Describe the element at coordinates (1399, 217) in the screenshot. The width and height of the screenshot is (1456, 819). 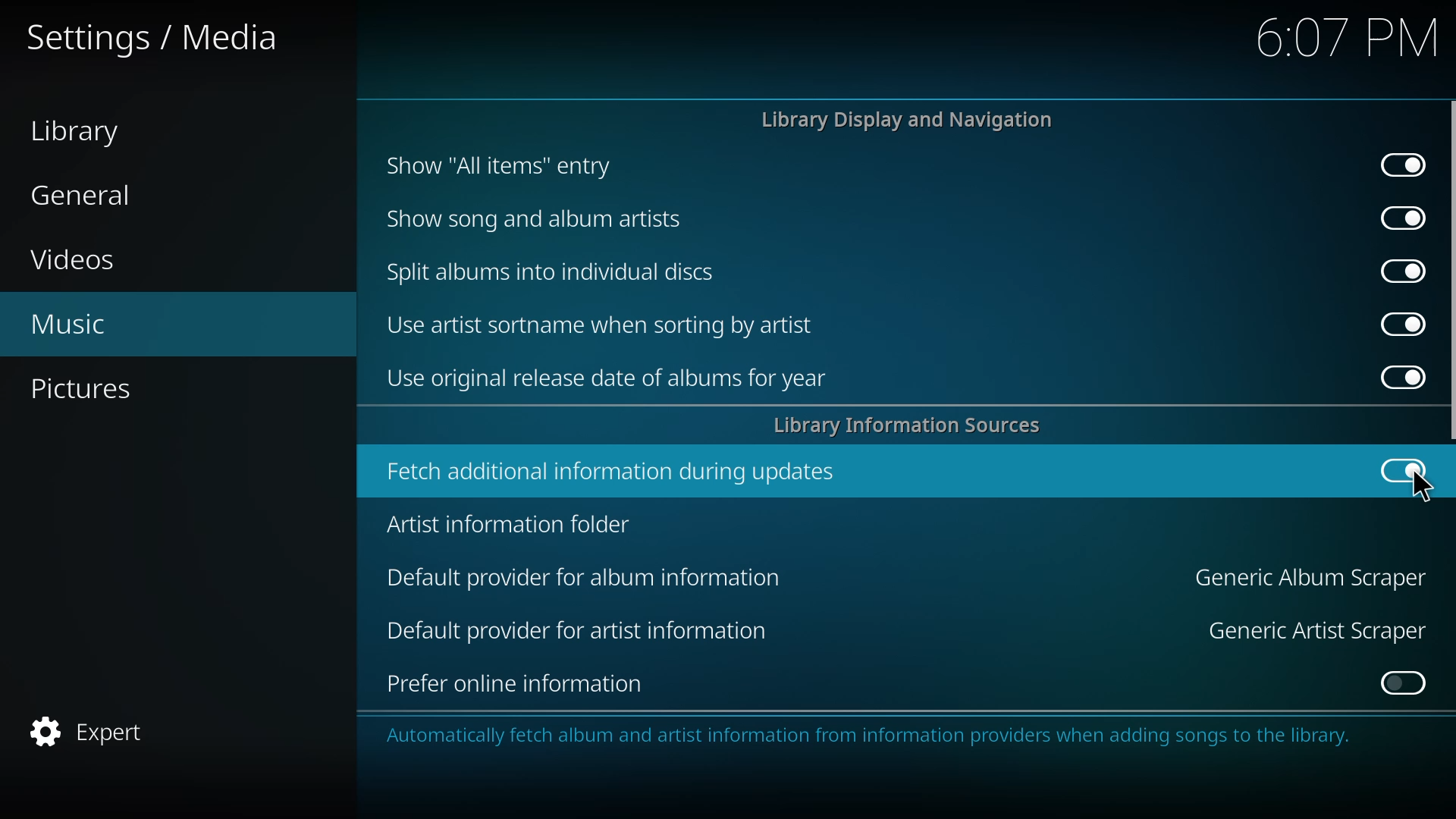
I see `enabled` at that location.